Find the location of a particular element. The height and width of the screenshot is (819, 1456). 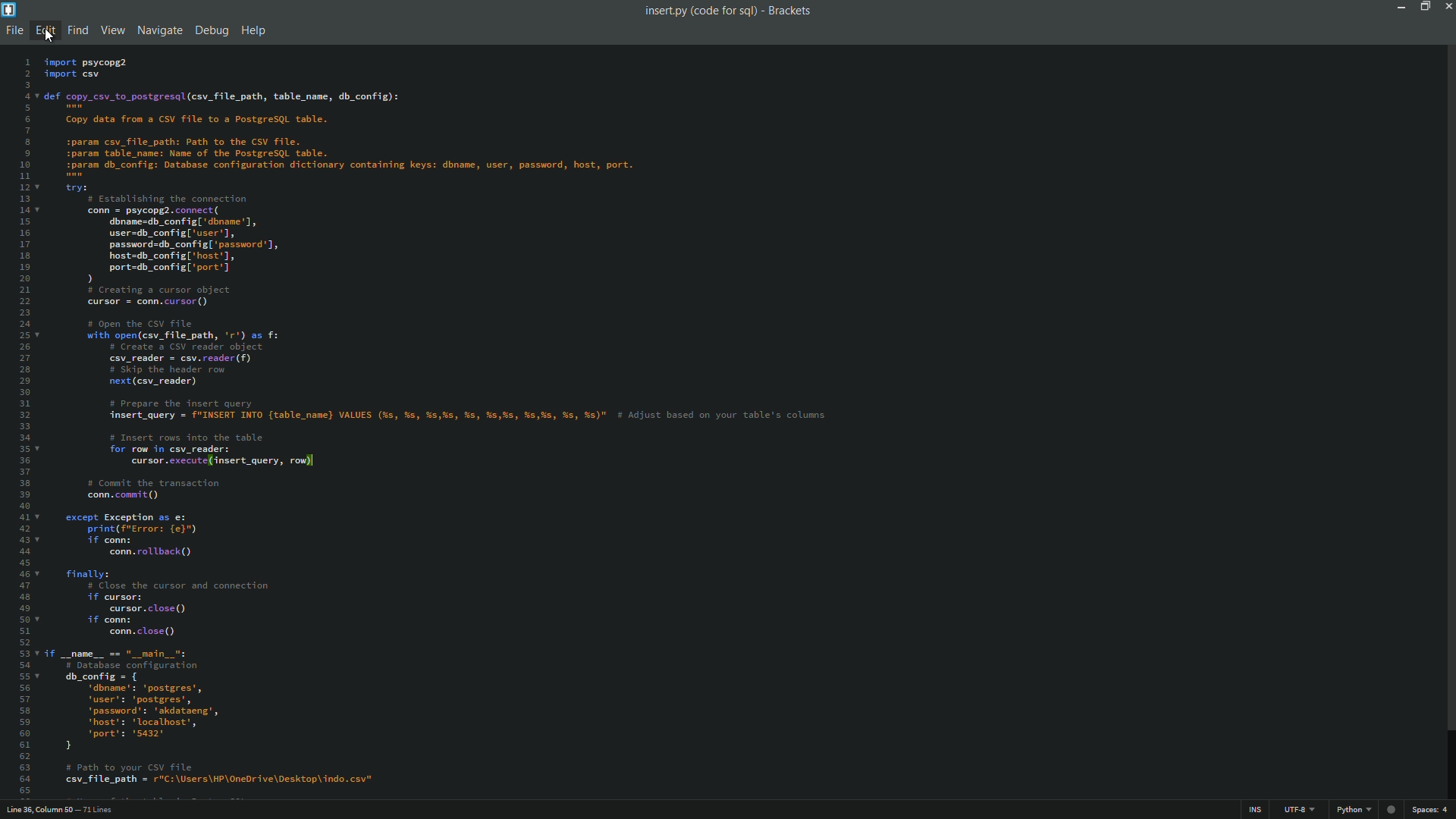

cursor position is located at coordinates (39, 810).